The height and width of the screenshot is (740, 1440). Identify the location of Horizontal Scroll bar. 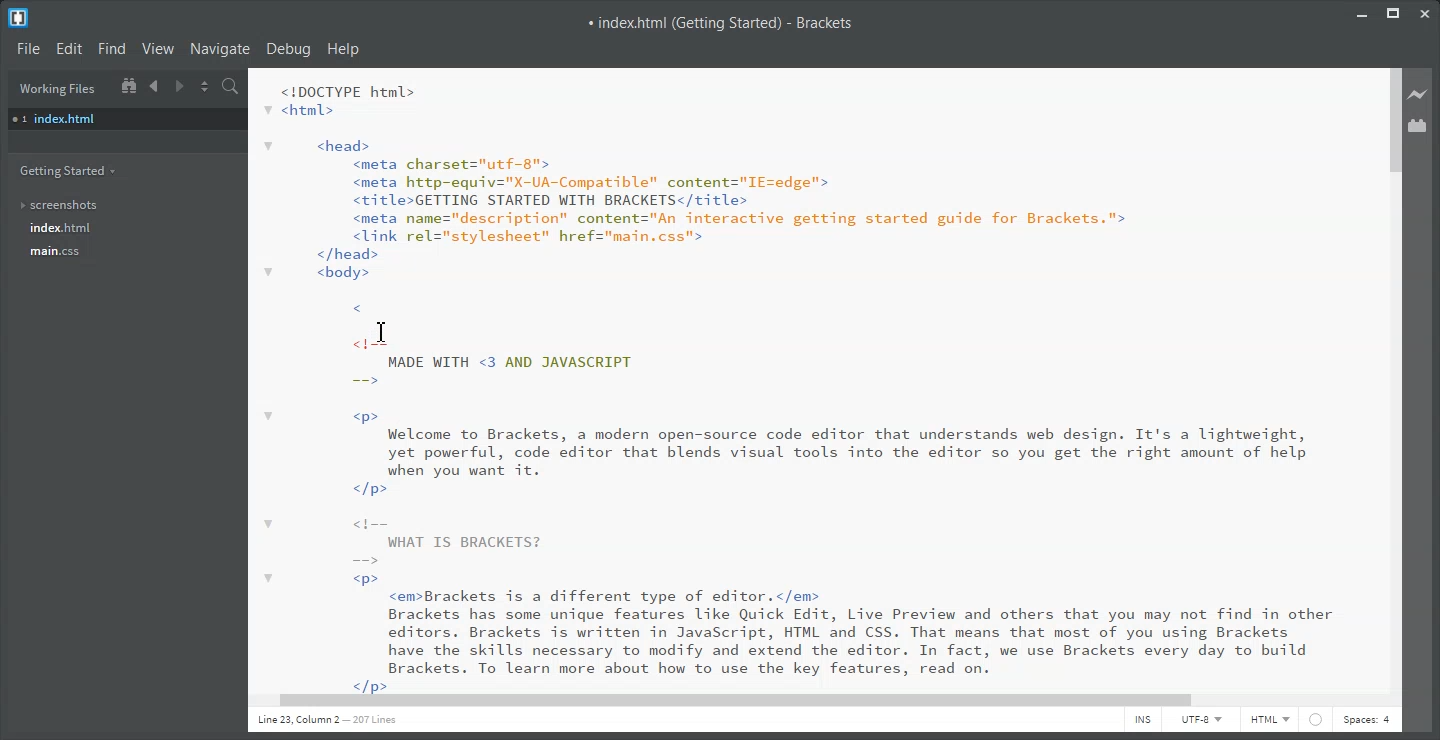
(813, 700).